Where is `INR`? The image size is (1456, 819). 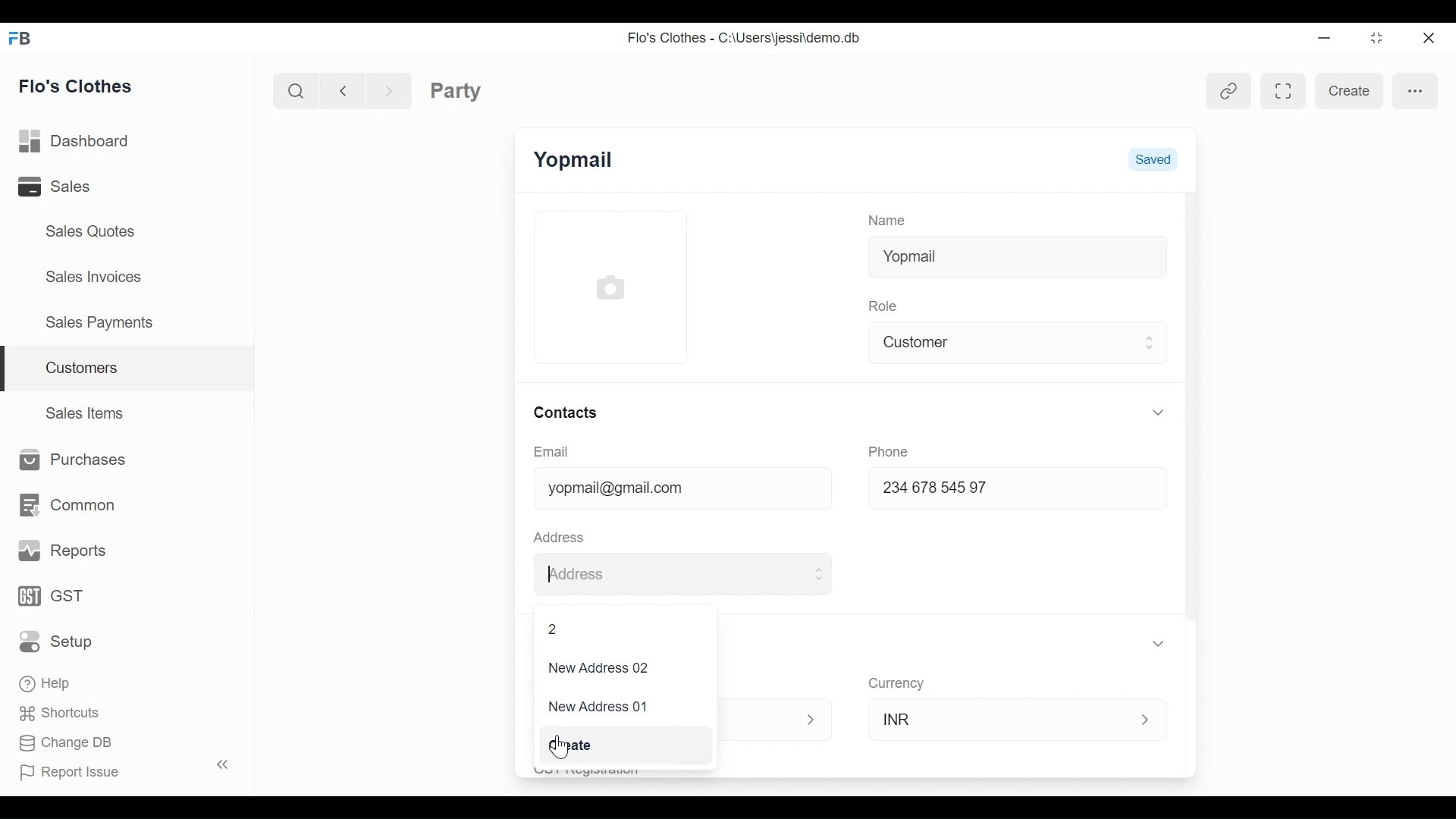 INR is located at coordinates (1001, 717).